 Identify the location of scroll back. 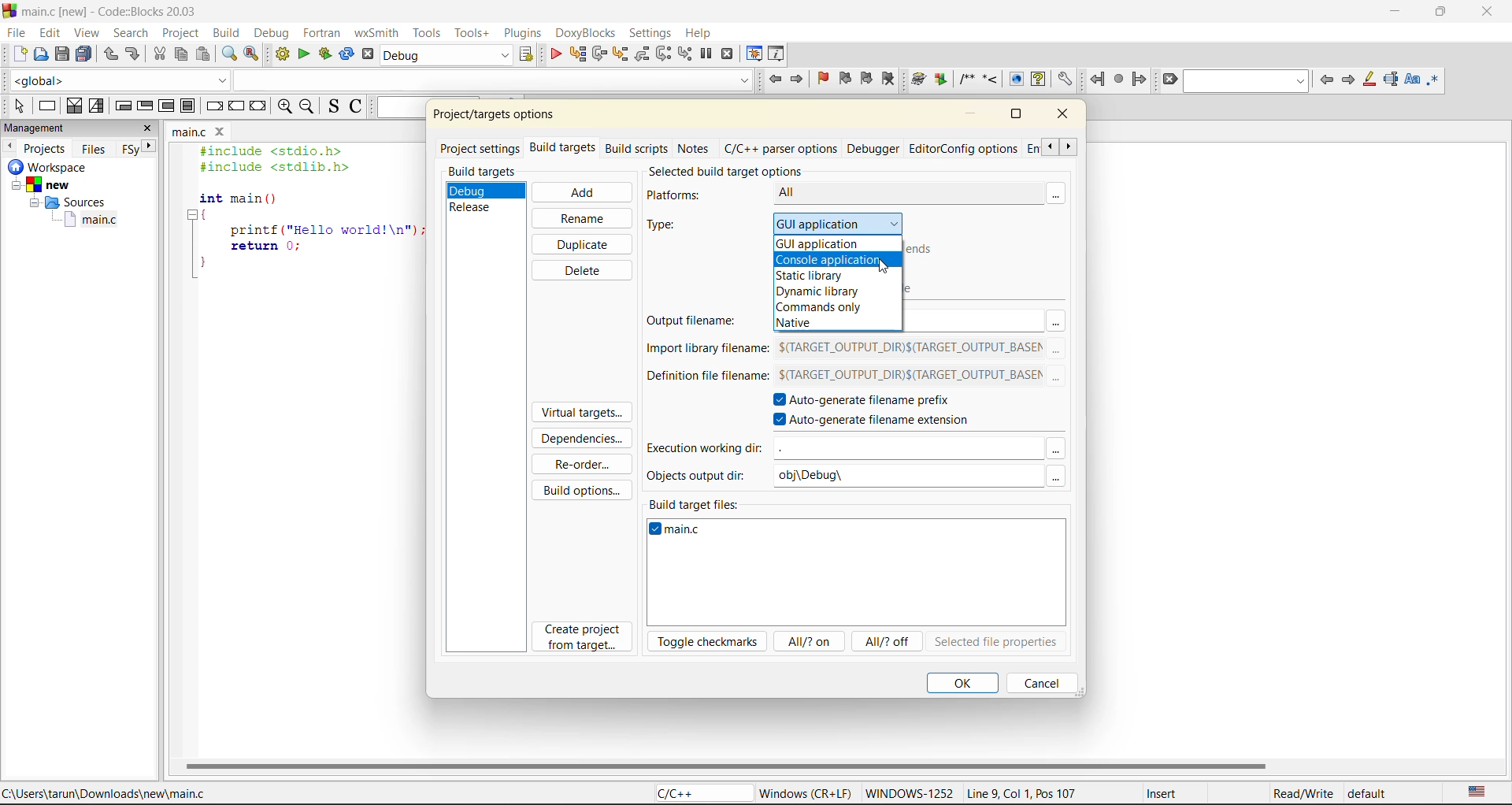
(1047, 147).